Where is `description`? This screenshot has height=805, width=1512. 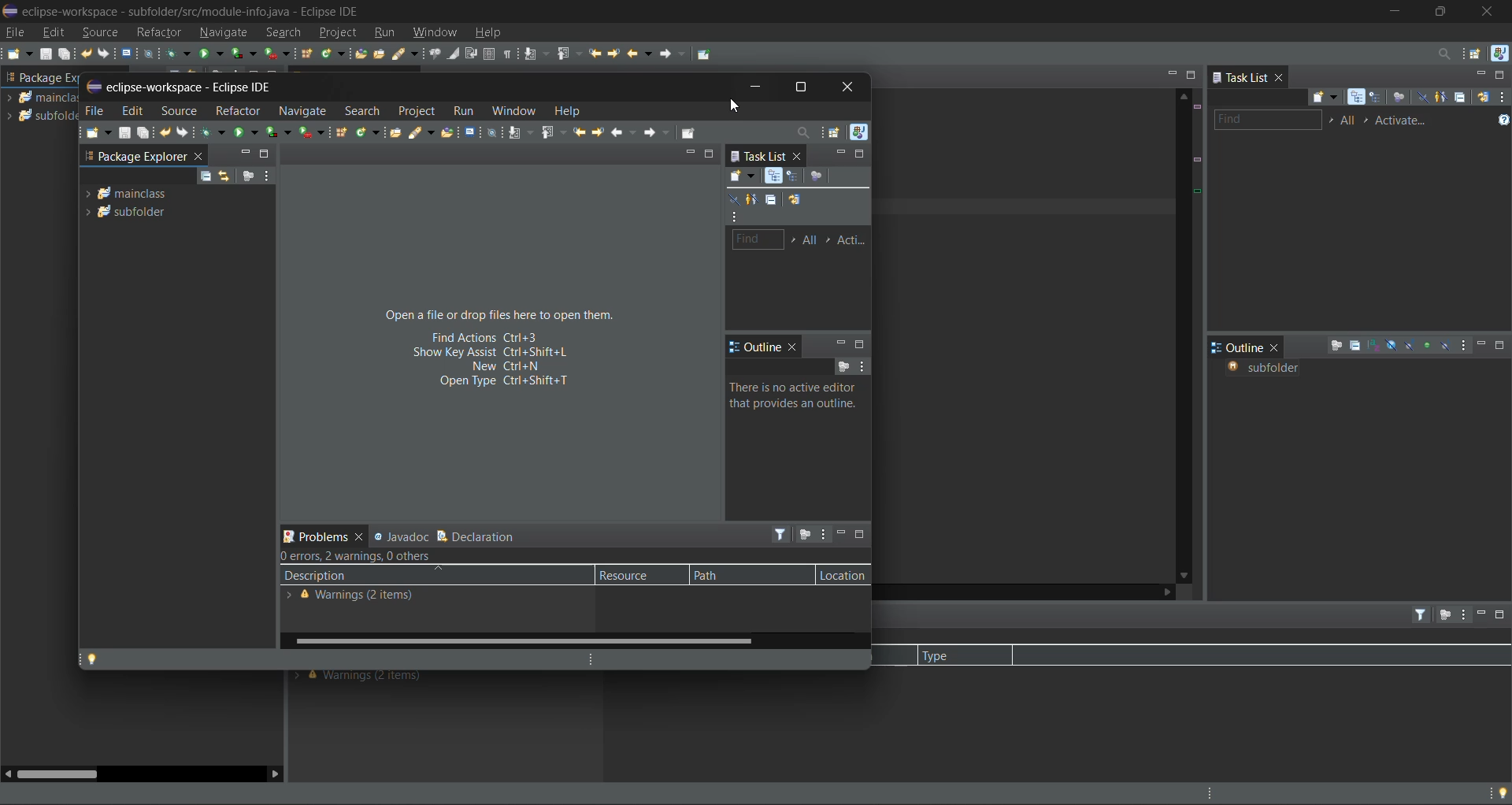
description is located at coordinates (321, 576).